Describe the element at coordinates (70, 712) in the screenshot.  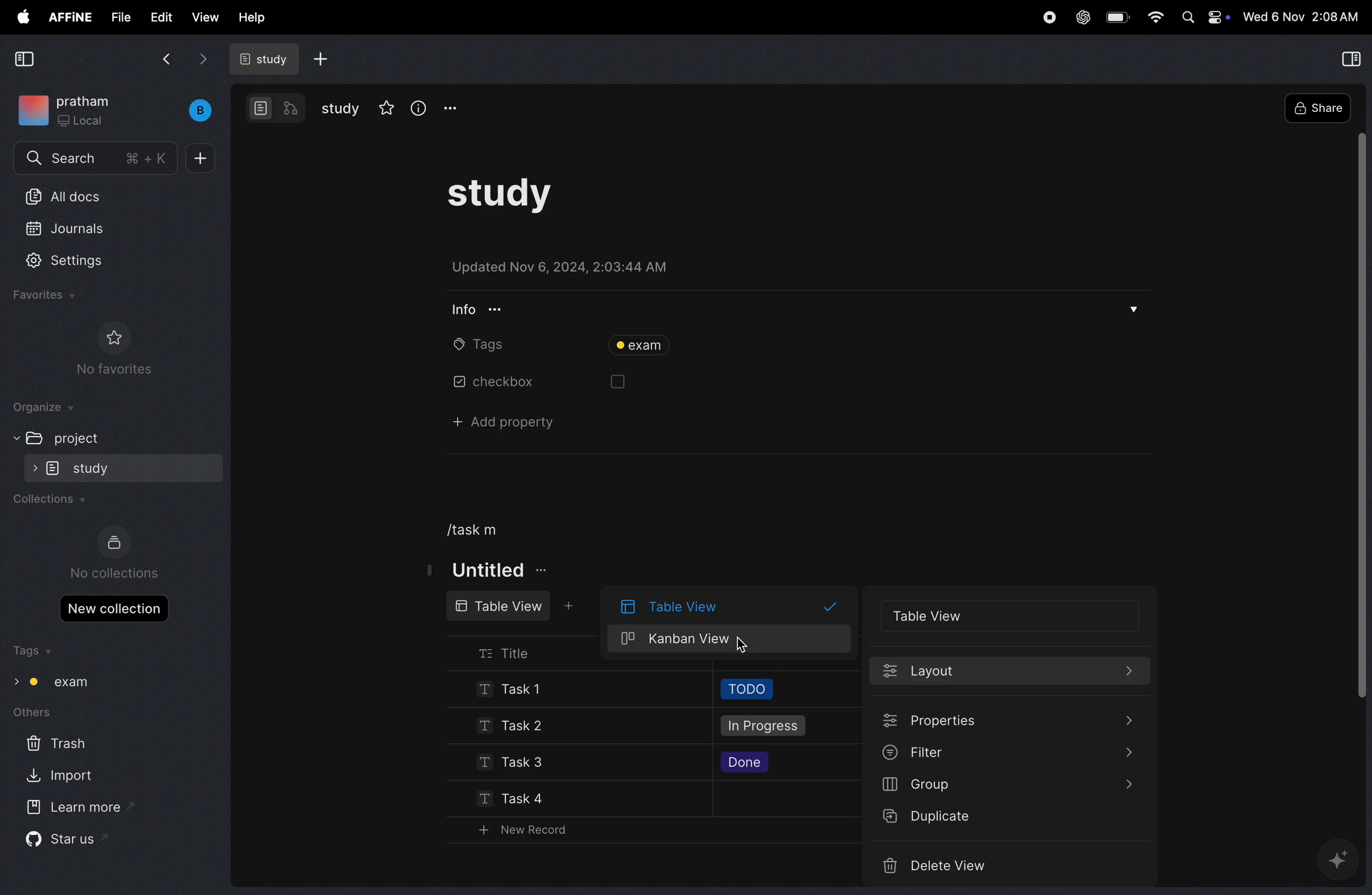
I see `others` at that location.